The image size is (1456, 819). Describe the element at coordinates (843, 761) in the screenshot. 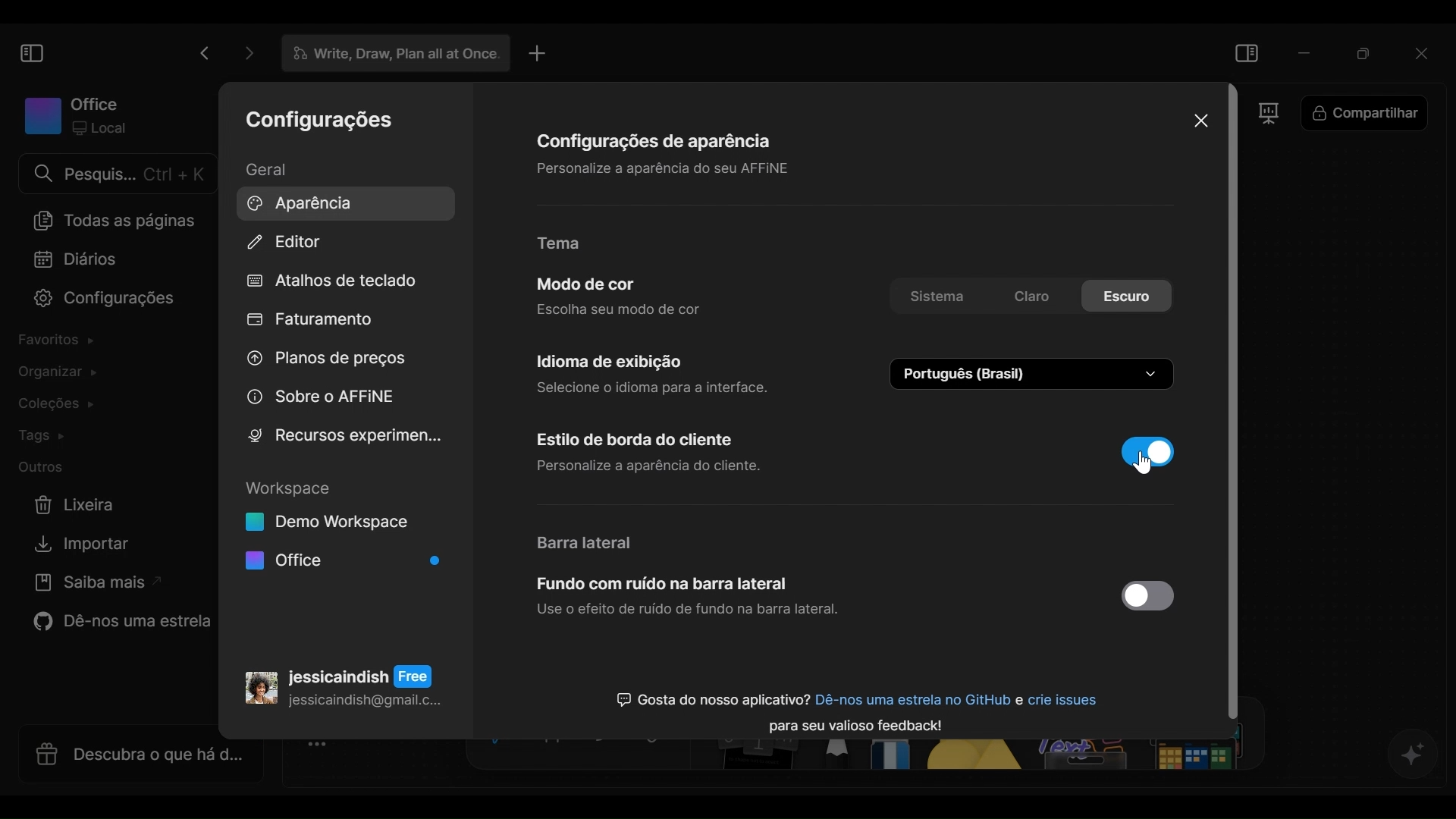

I see `Pen` at that location.